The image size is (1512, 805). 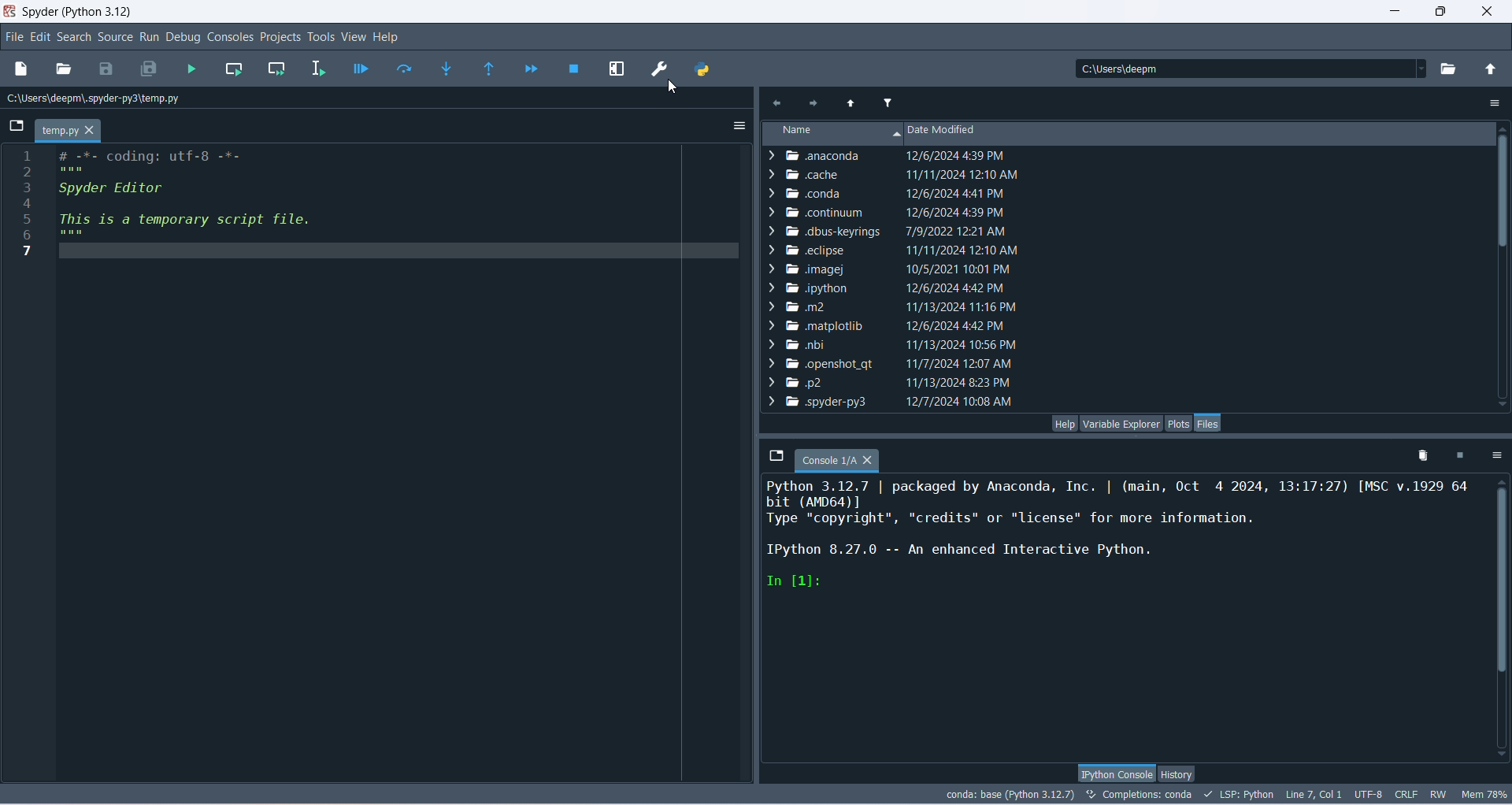 I want to click on vertical scroll bar, so click(x=1499, y=617).